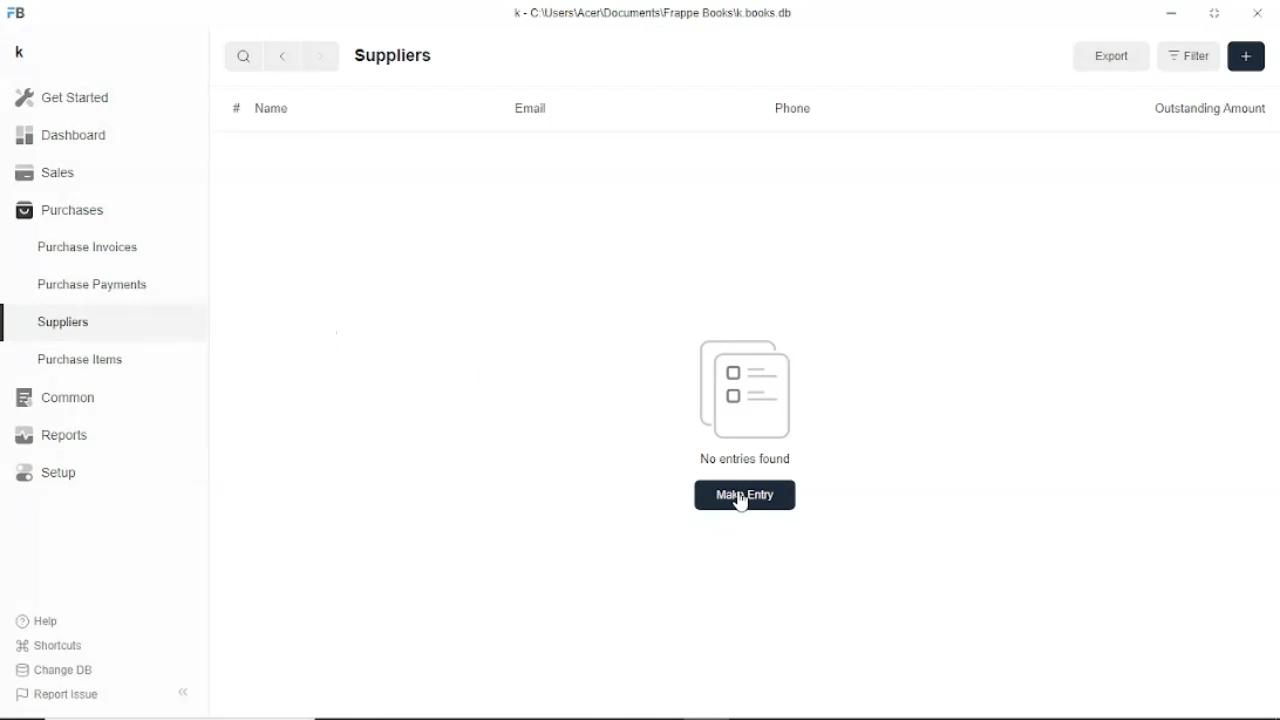 Image resolution: width=1280 pixels, height=720 pixels. What do you see at coordinates (654, 12) in the screenshot?
I see `k - C\Users\Acer\Documents\Frappe books\k.books.db` at bounding box center [654, 12].